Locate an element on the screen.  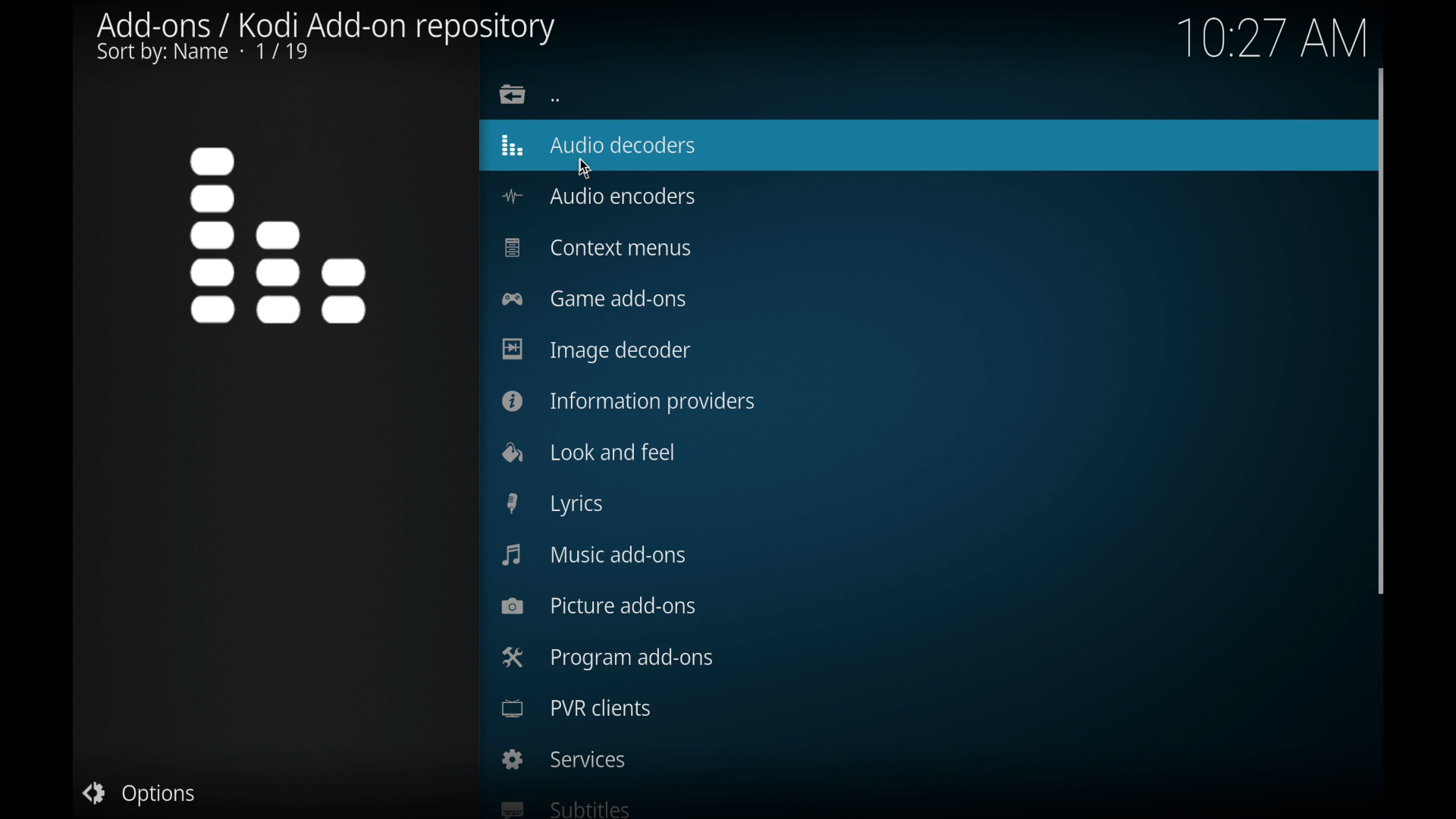
audio encoders is located at coordinates (598, 196).